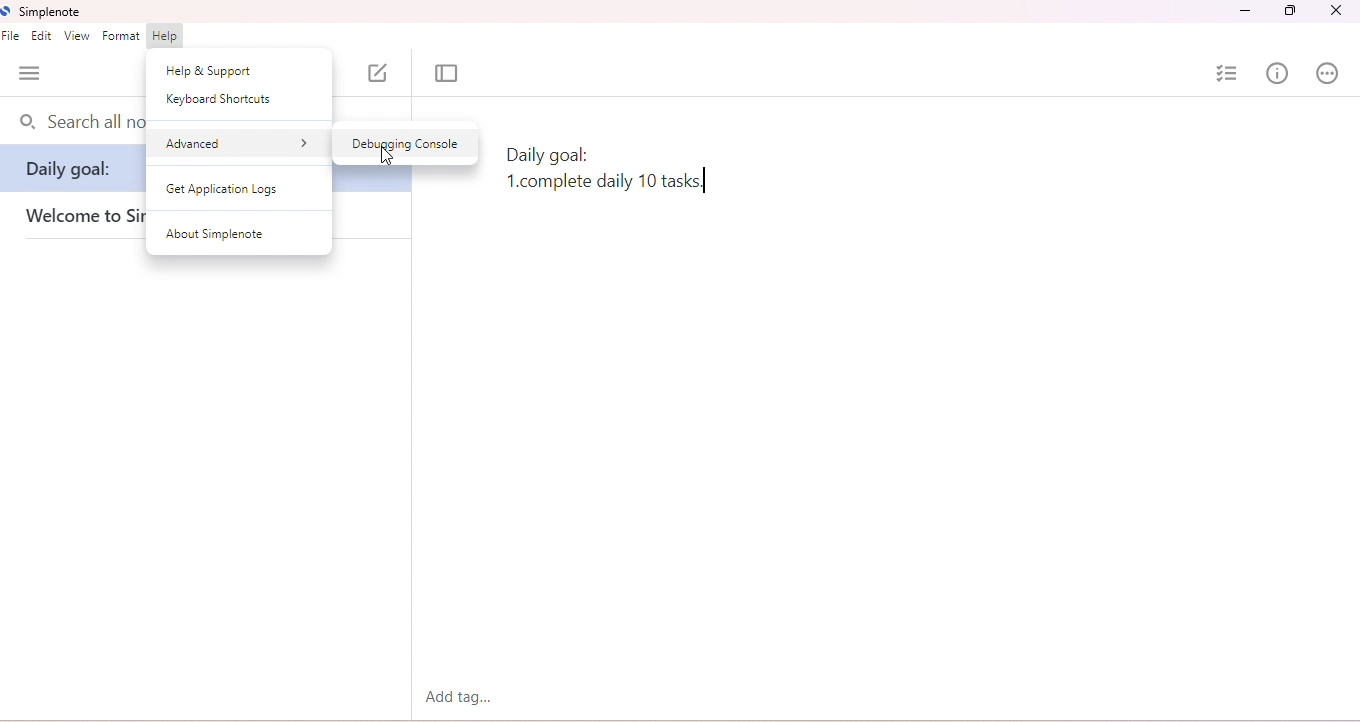  I want to click on get application logs, so click(225, 191).